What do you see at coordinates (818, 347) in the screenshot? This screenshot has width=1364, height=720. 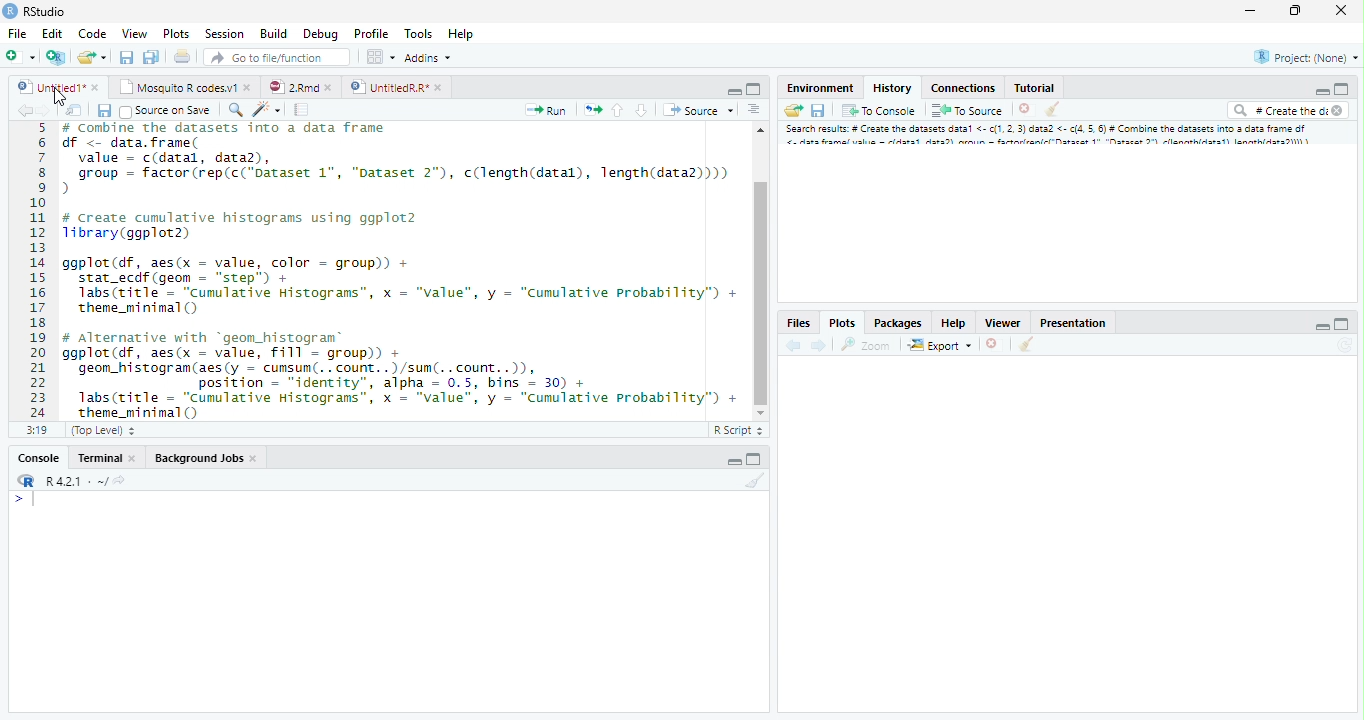 I see `Next` at bounding box center [818, 347].